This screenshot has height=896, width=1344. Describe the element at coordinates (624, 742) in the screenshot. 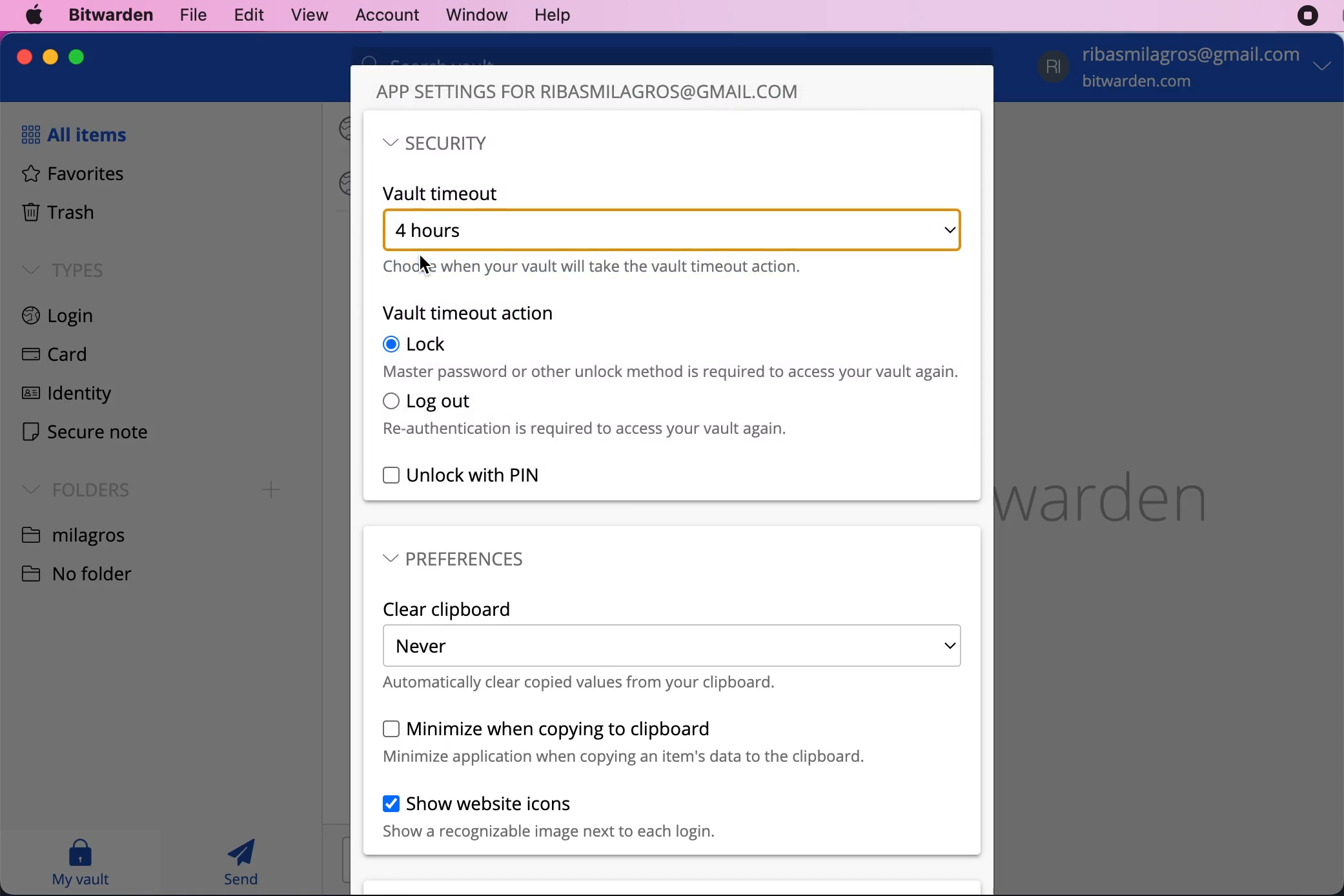

I see `minimize when copying to clipboard` at that location.